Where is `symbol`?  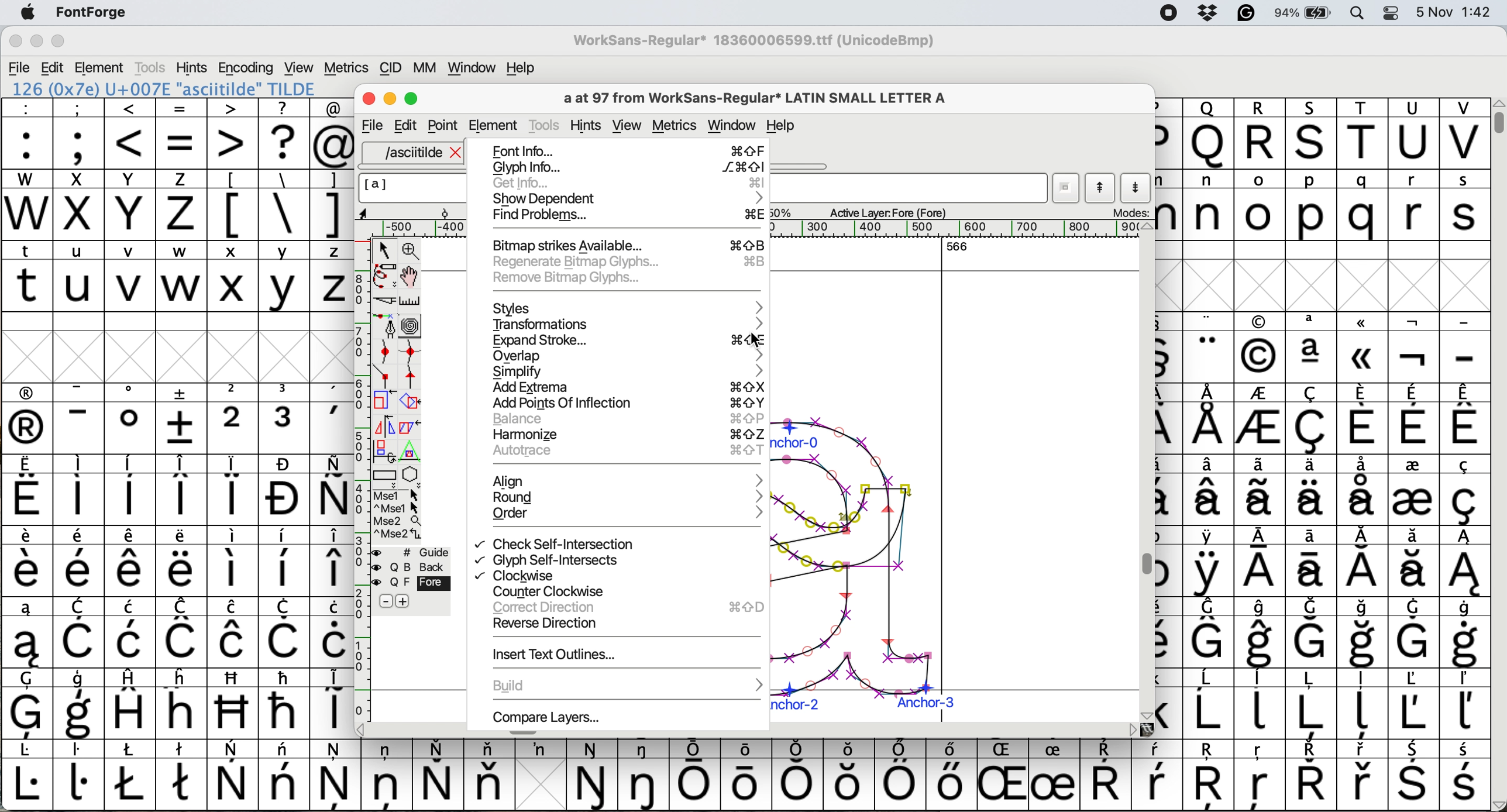 symbol is located at coordinates (80, 705).